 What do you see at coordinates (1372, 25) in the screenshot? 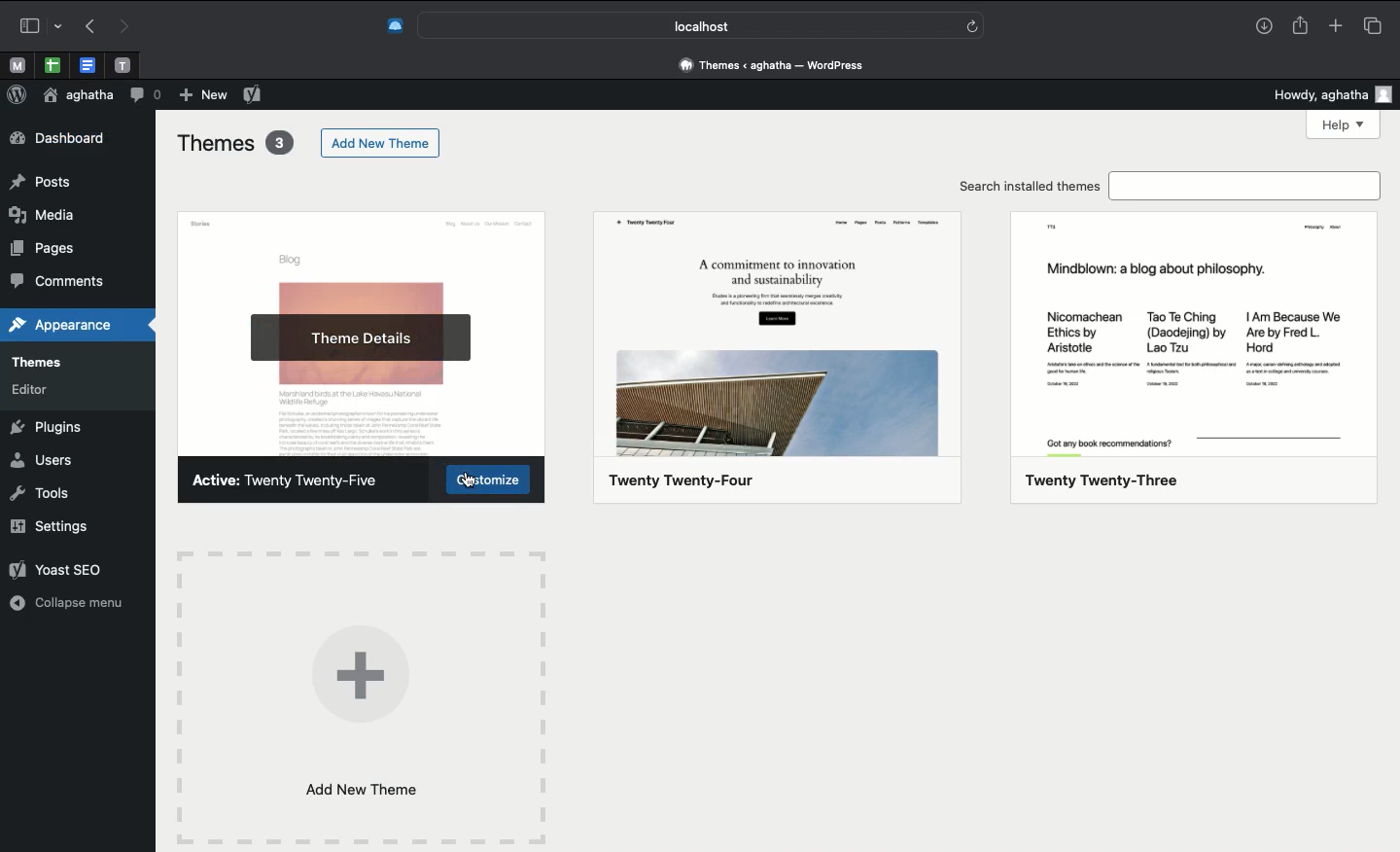
I see `Tabs` at bounding box center [1372, 25].